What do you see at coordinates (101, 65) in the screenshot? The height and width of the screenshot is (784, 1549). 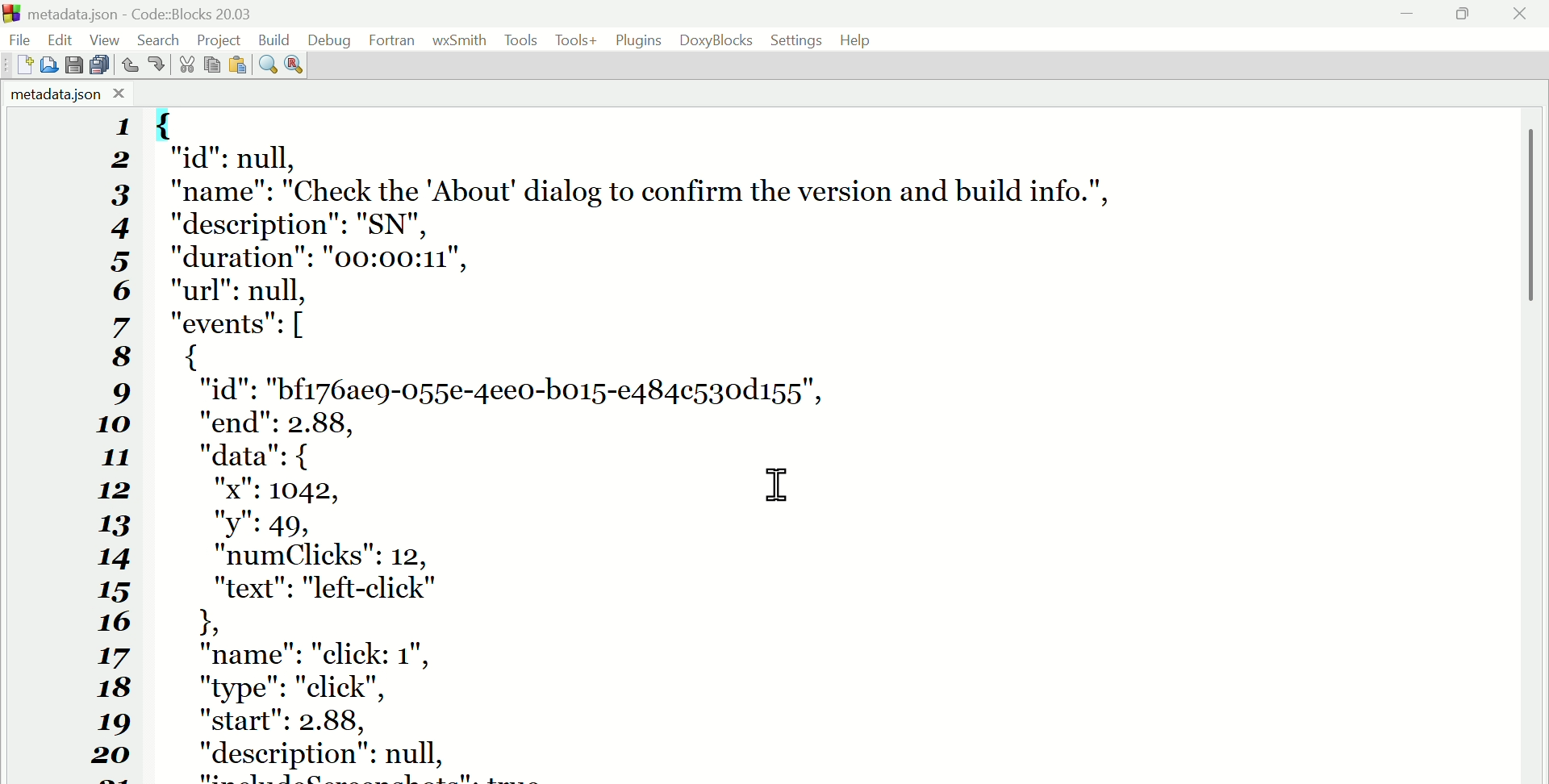 I see `Save all` at bounding box center [101, 65].